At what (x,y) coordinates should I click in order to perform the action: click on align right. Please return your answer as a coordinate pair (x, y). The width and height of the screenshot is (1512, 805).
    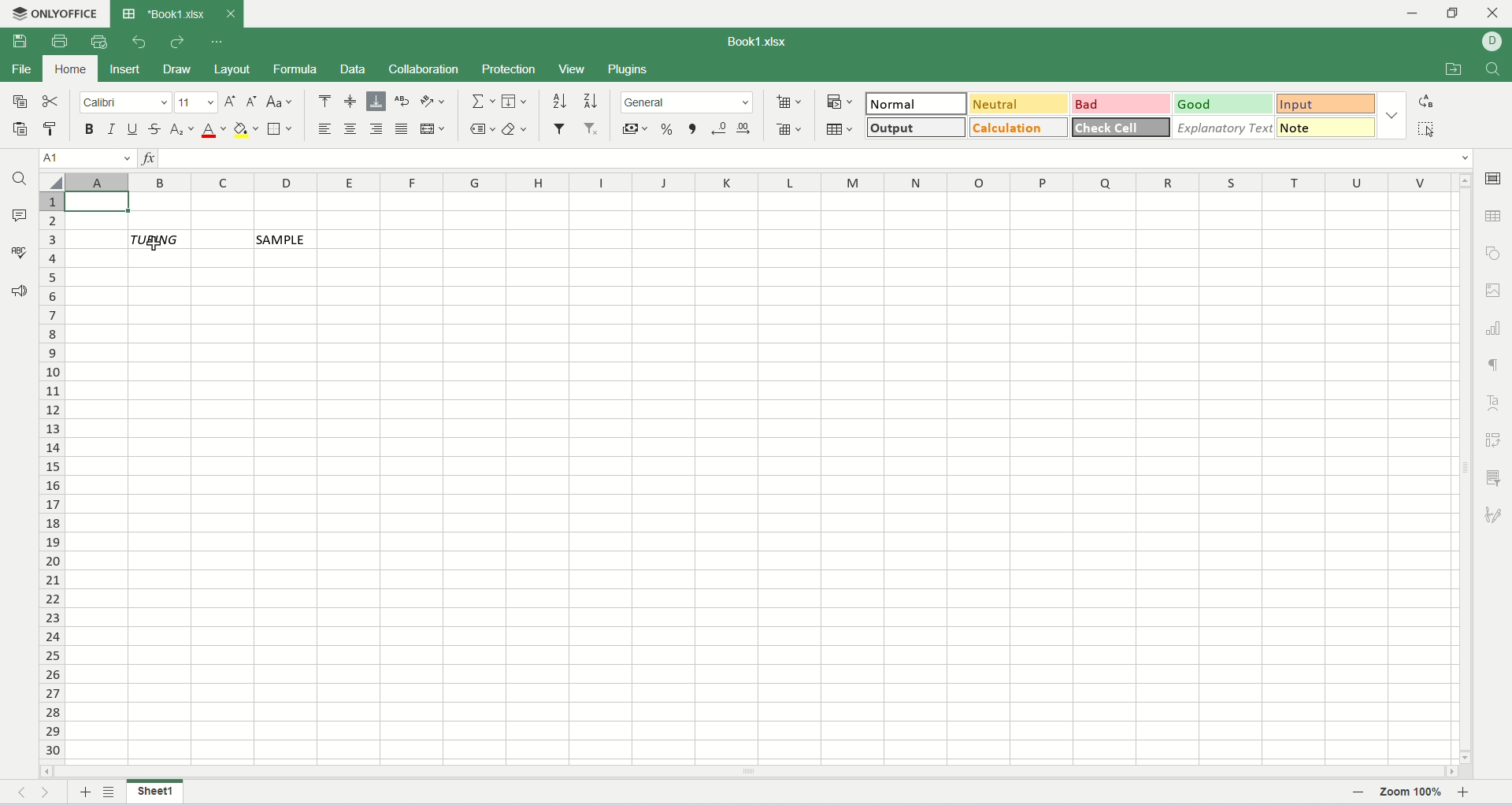
    Looking at the image, I should click on (377, 128).